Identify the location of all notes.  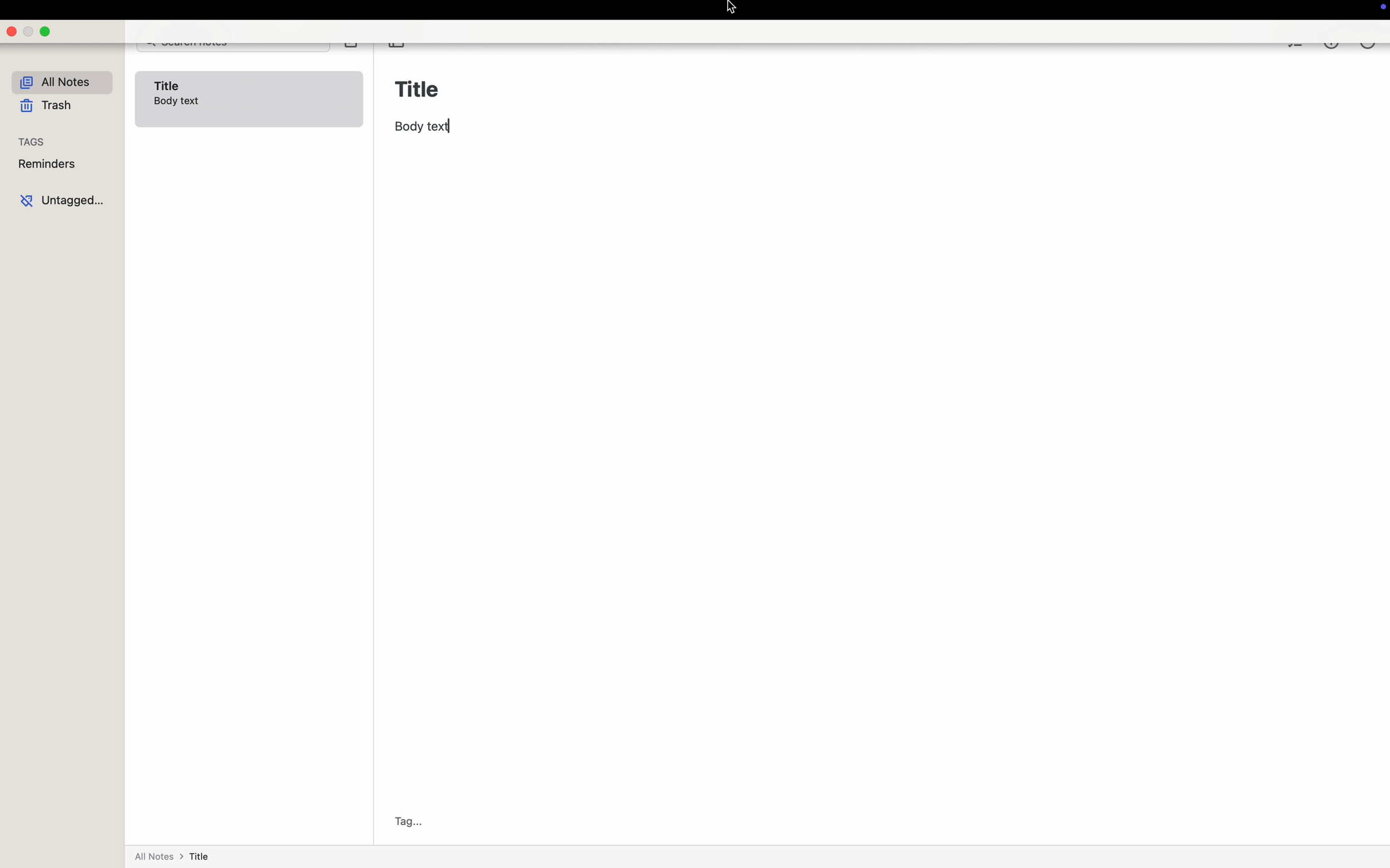
(61, 80).